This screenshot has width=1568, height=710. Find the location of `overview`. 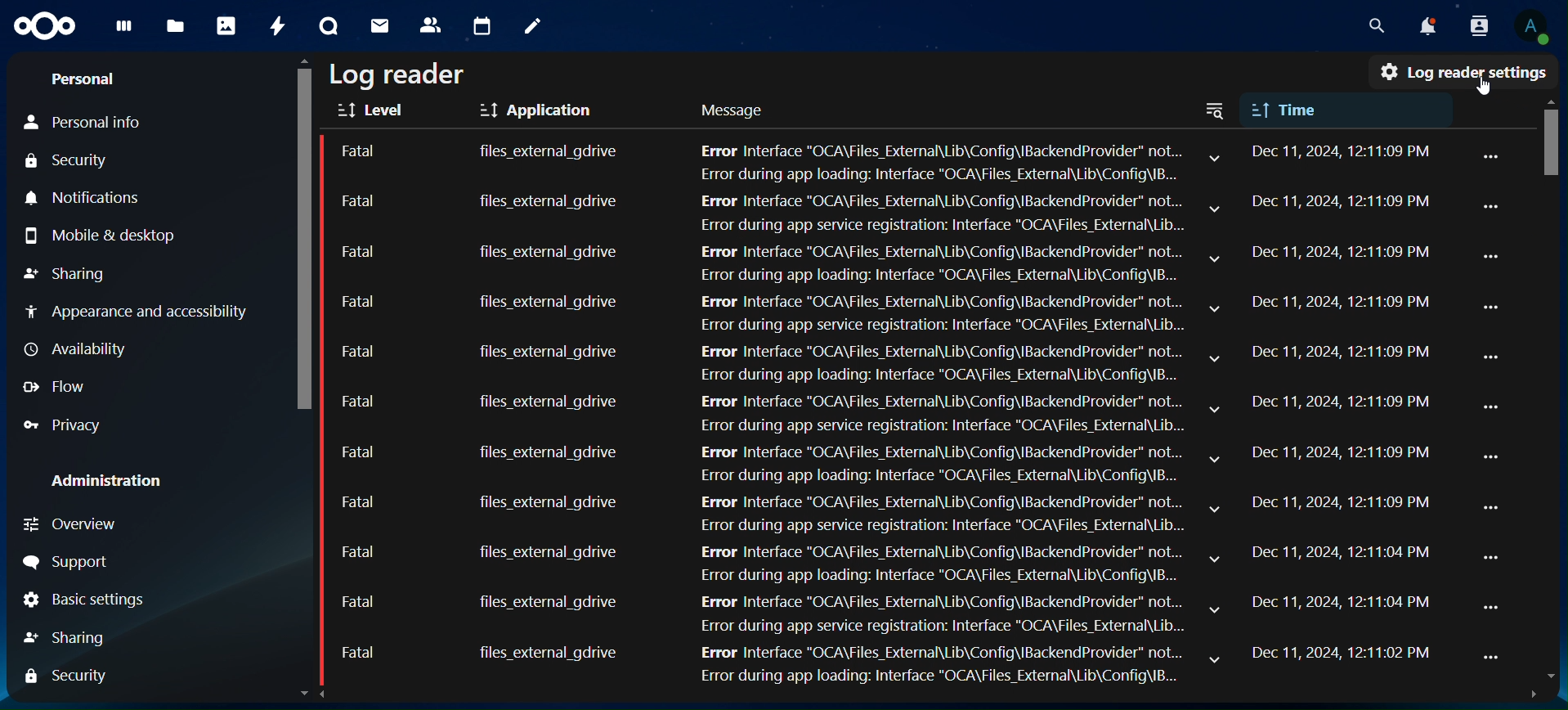

overview is located at coordinates (74, 522).